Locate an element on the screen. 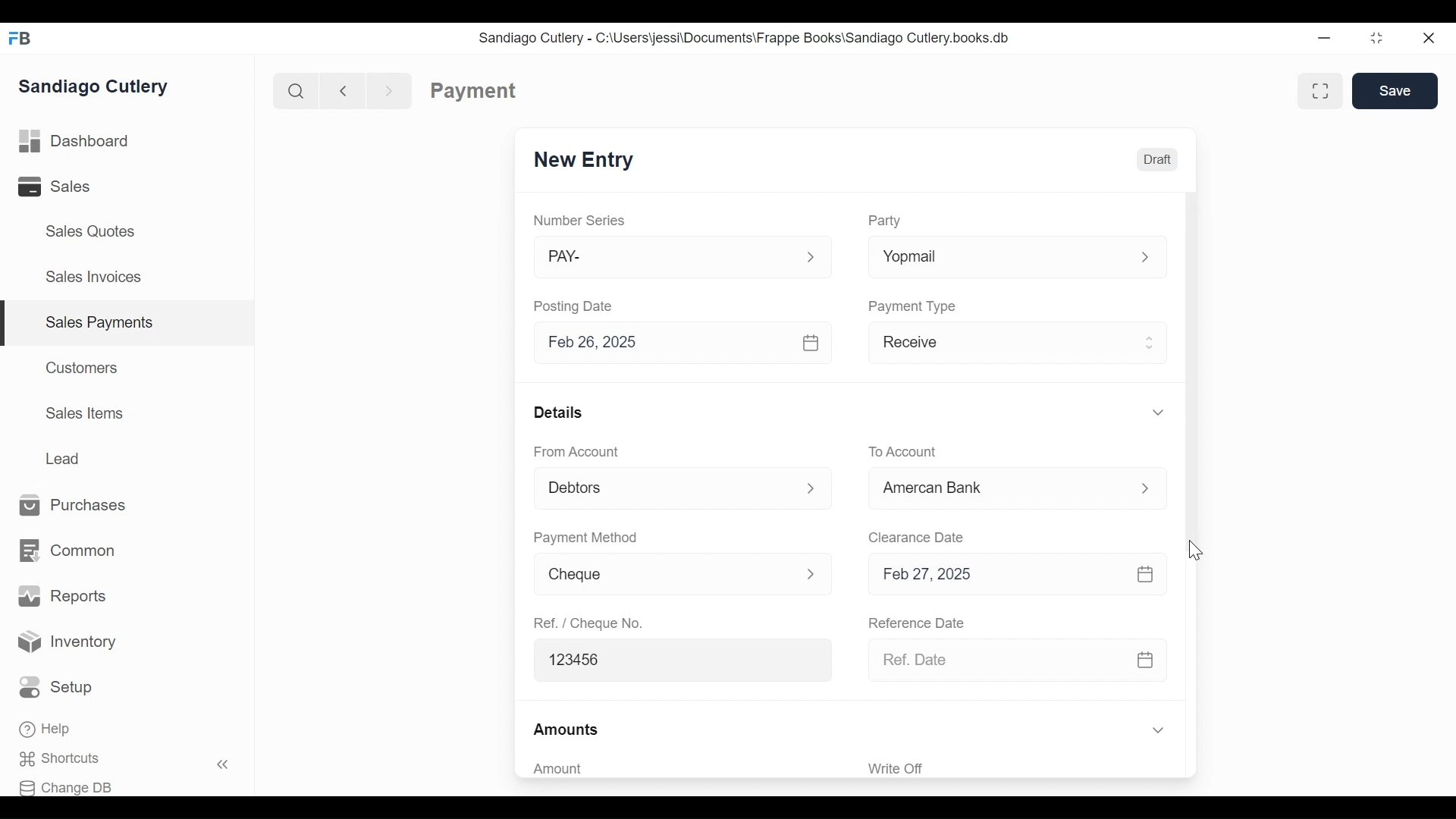 This screenshot has width=1456, height=819. Customers is located at coordinates (83, 367).